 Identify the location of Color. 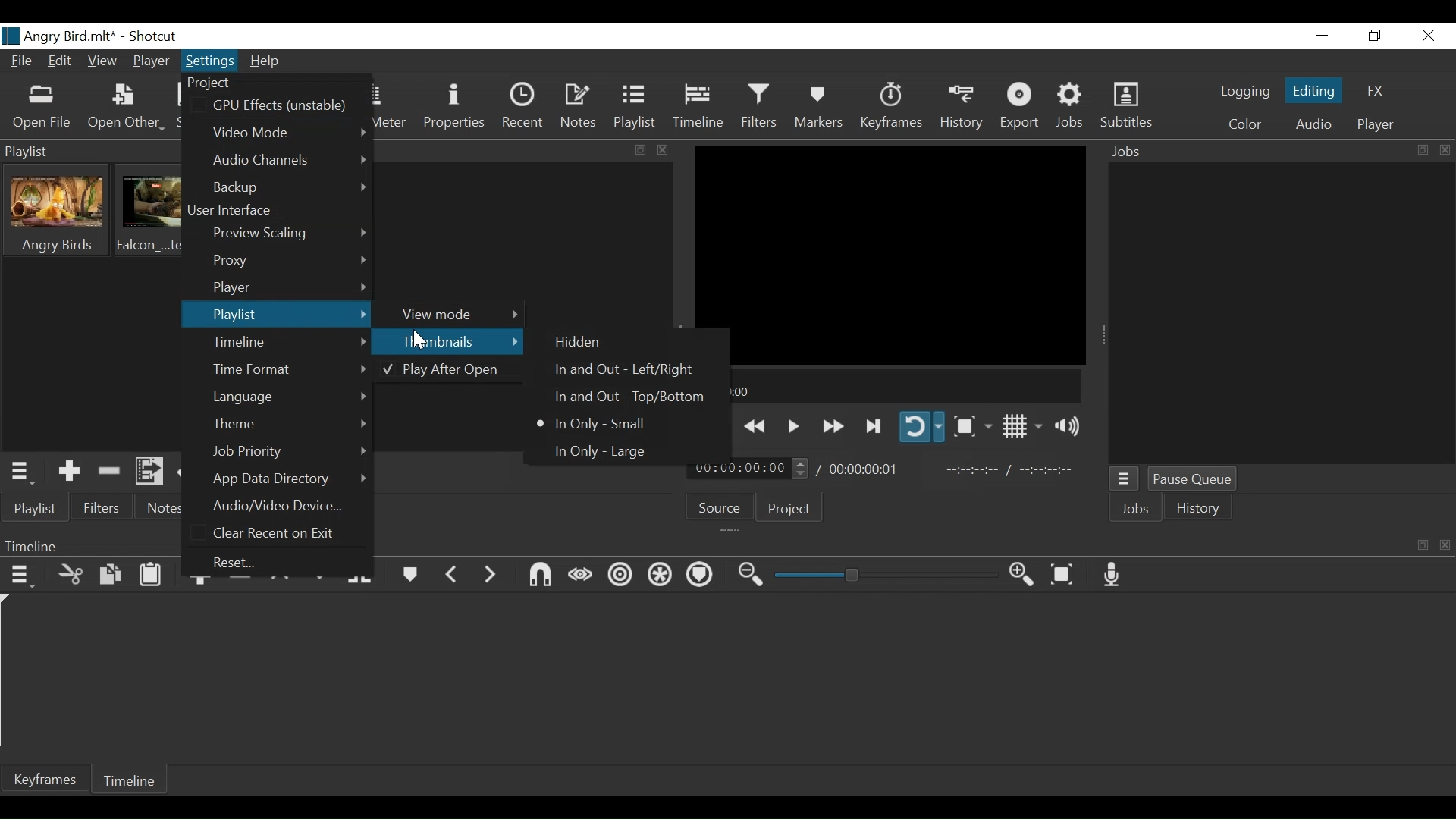
(1245, 124).